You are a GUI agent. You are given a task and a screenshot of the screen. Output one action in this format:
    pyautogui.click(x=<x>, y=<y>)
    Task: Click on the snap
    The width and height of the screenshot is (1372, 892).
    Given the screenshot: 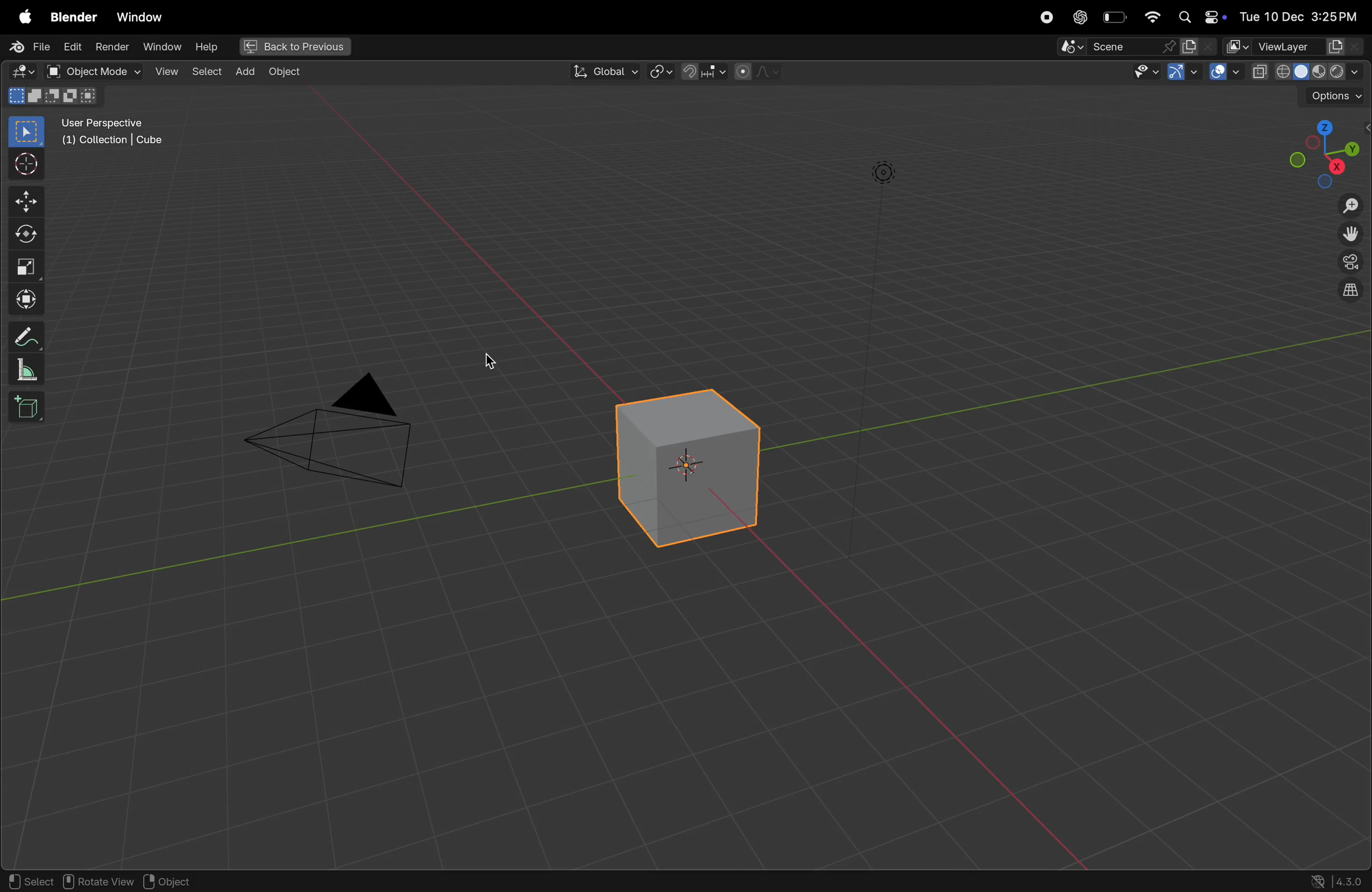 What is the action you would take?
    pyautogui.click(x=703, y=73)
    